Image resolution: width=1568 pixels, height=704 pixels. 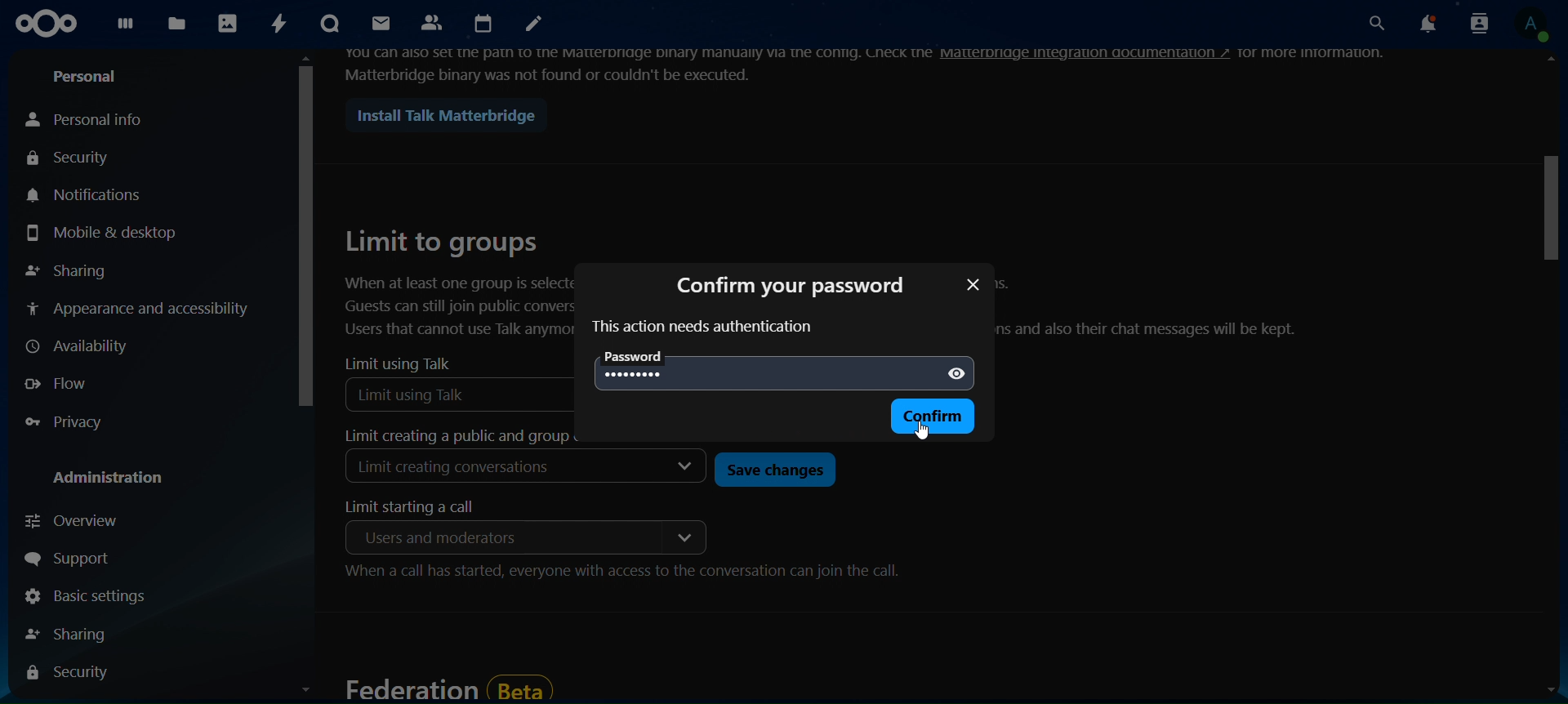 What do you see at coordinates (959, 371) in the screenshot?
I see `show password` at bounding box center [959, 371].